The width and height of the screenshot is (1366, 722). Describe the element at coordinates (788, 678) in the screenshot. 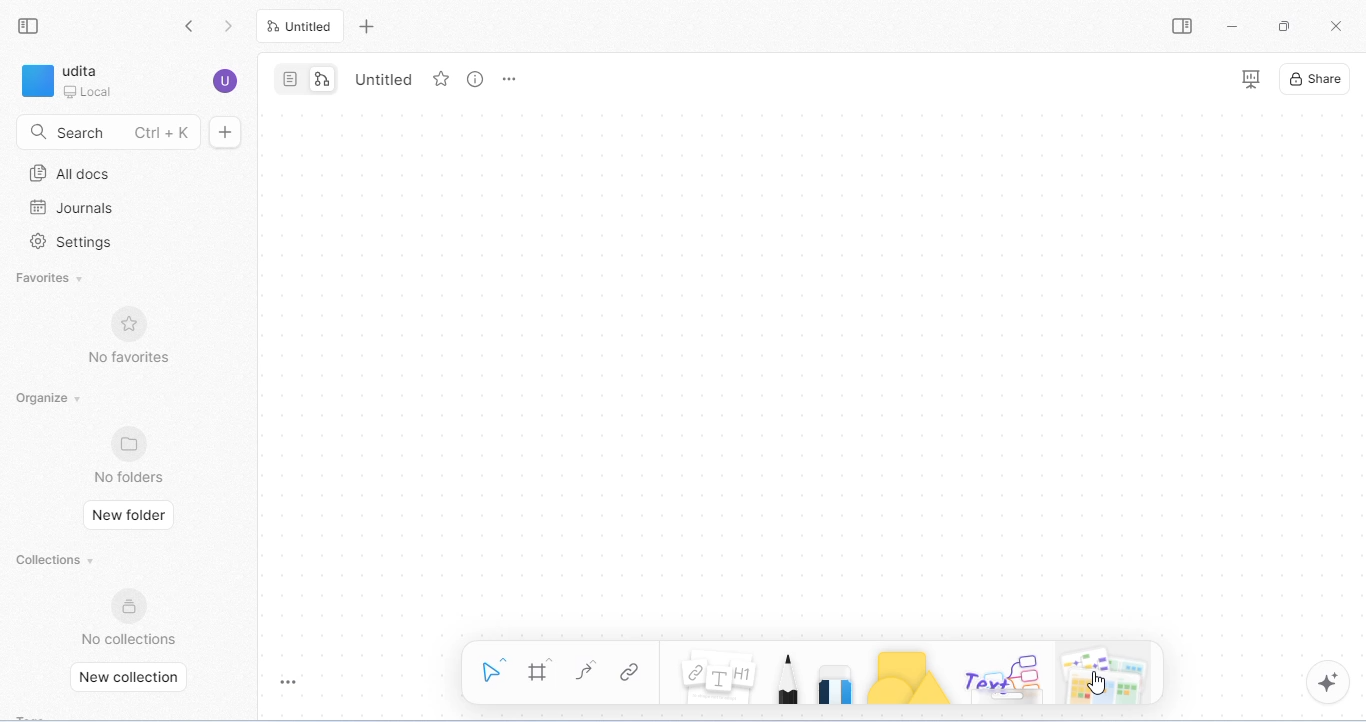

I see `pencil` at that location.